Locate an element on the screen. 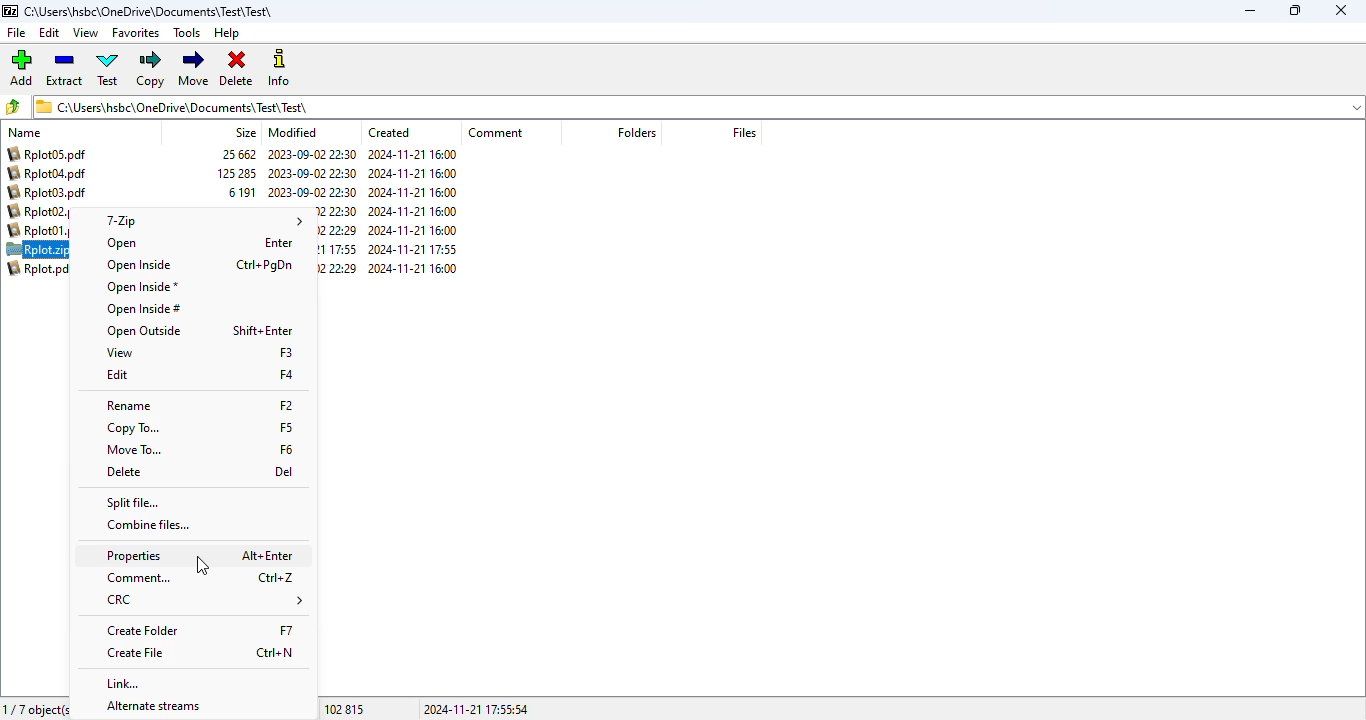 The width and height of the screenshot is (1366, 720). info is located at coordinates (278, 67).